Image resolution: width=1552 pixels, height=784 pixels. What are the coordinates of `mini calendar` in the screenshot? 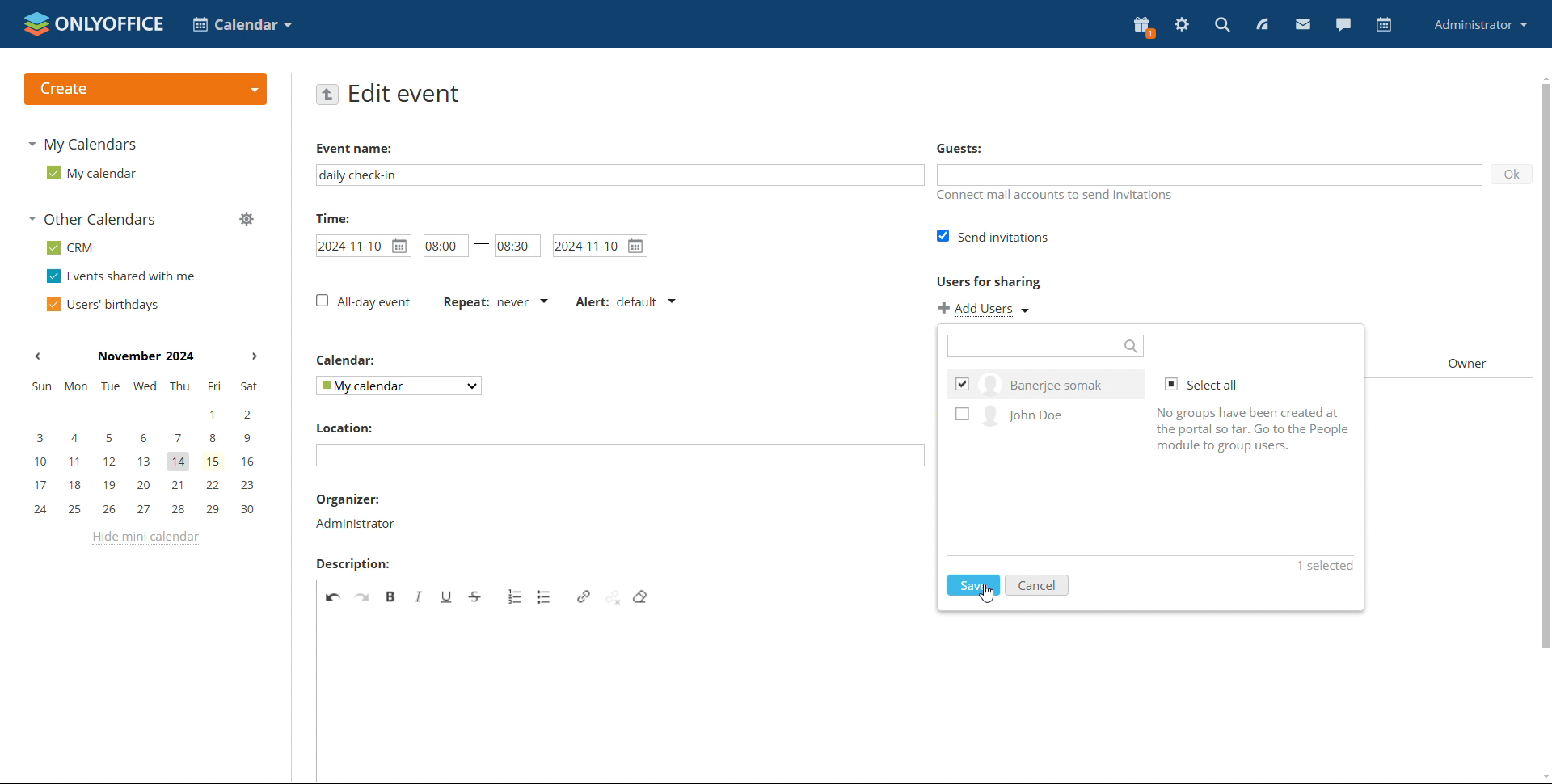 It's located at (144, 449).